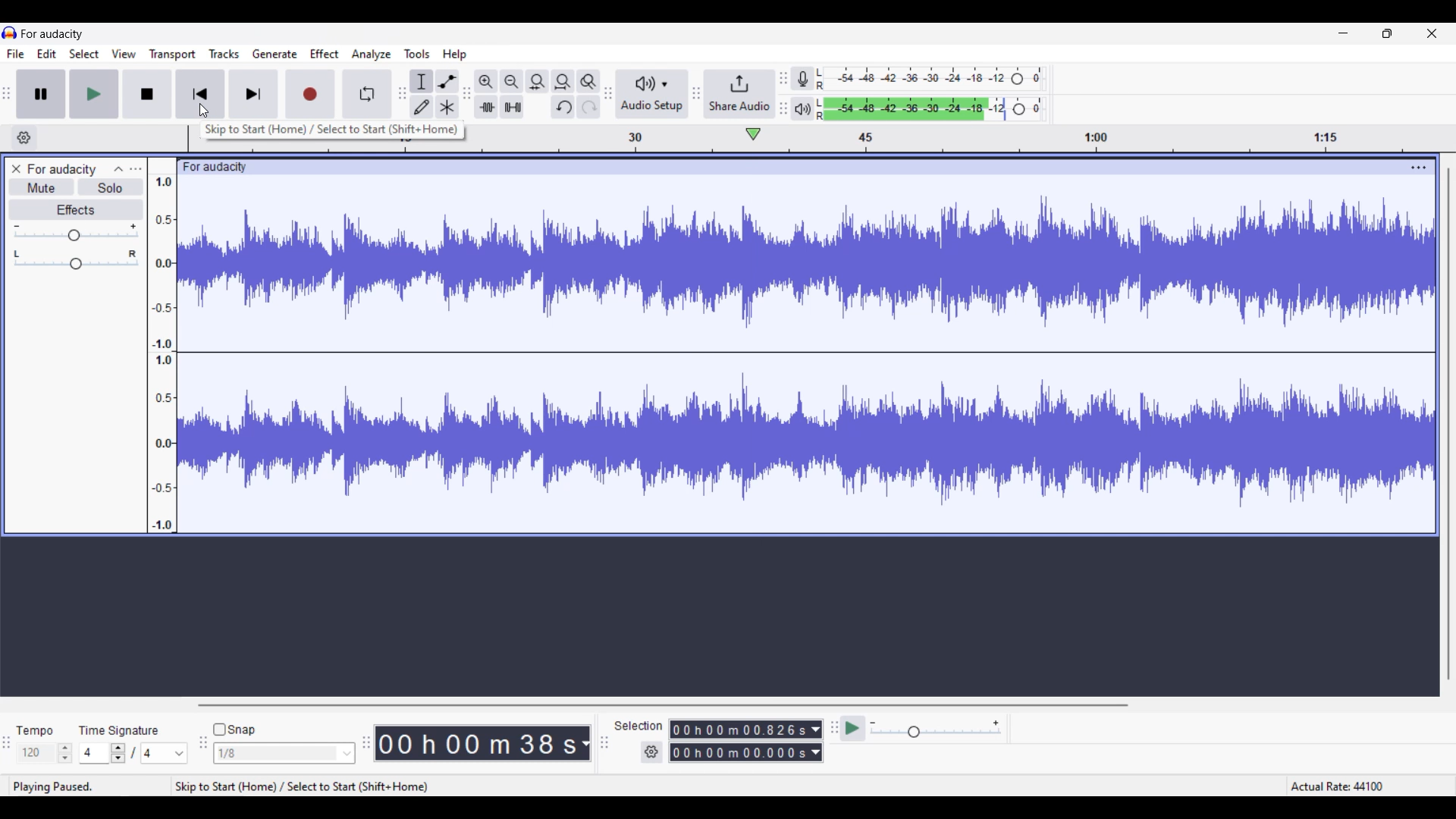 This screenshot has height=819, width=1456. What do you see at coordinates (455, 55) in the screenshot?
I see `Help menu` at bounding box center [455, 55].